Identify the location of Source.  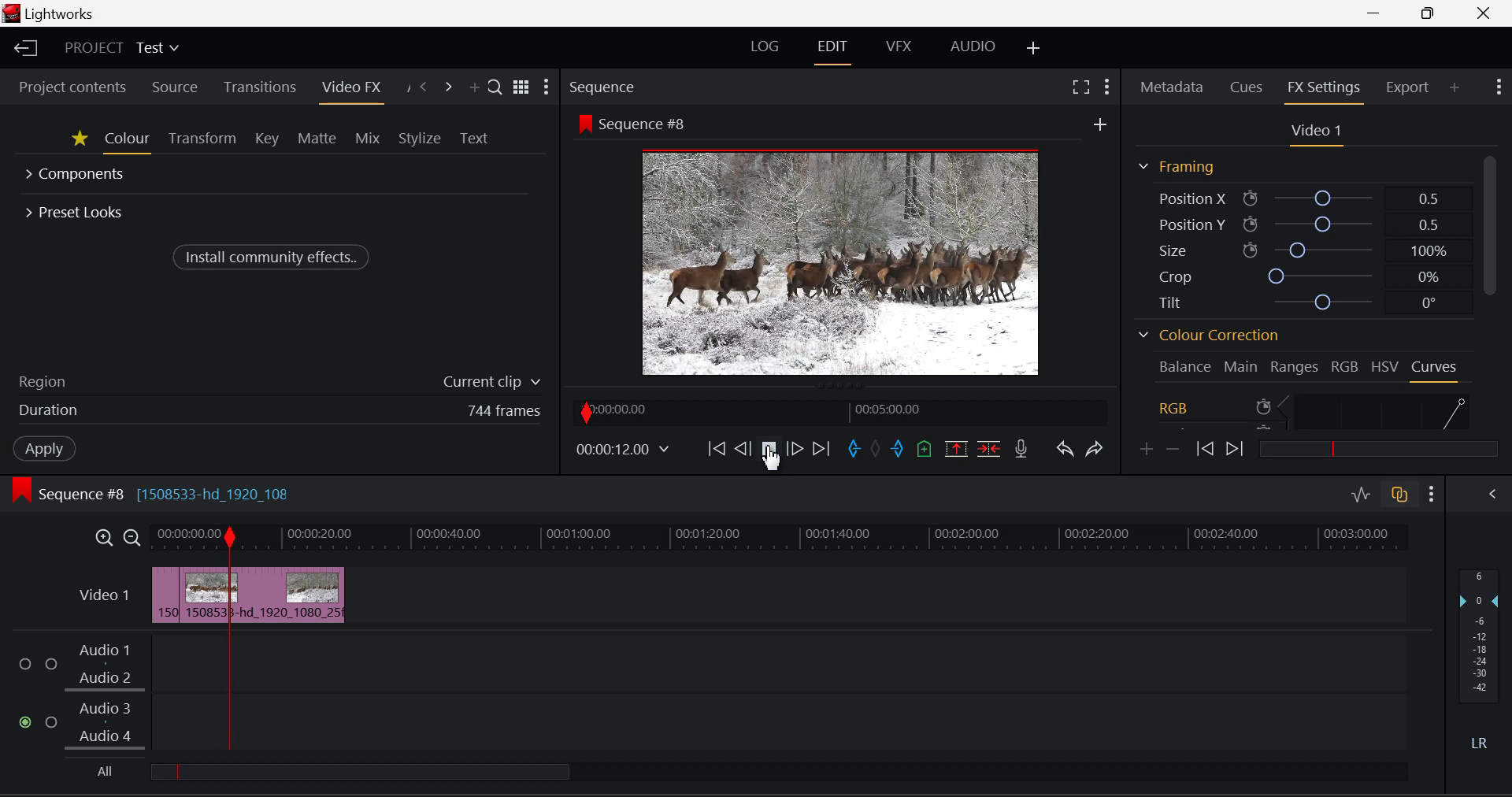
(174, 87).